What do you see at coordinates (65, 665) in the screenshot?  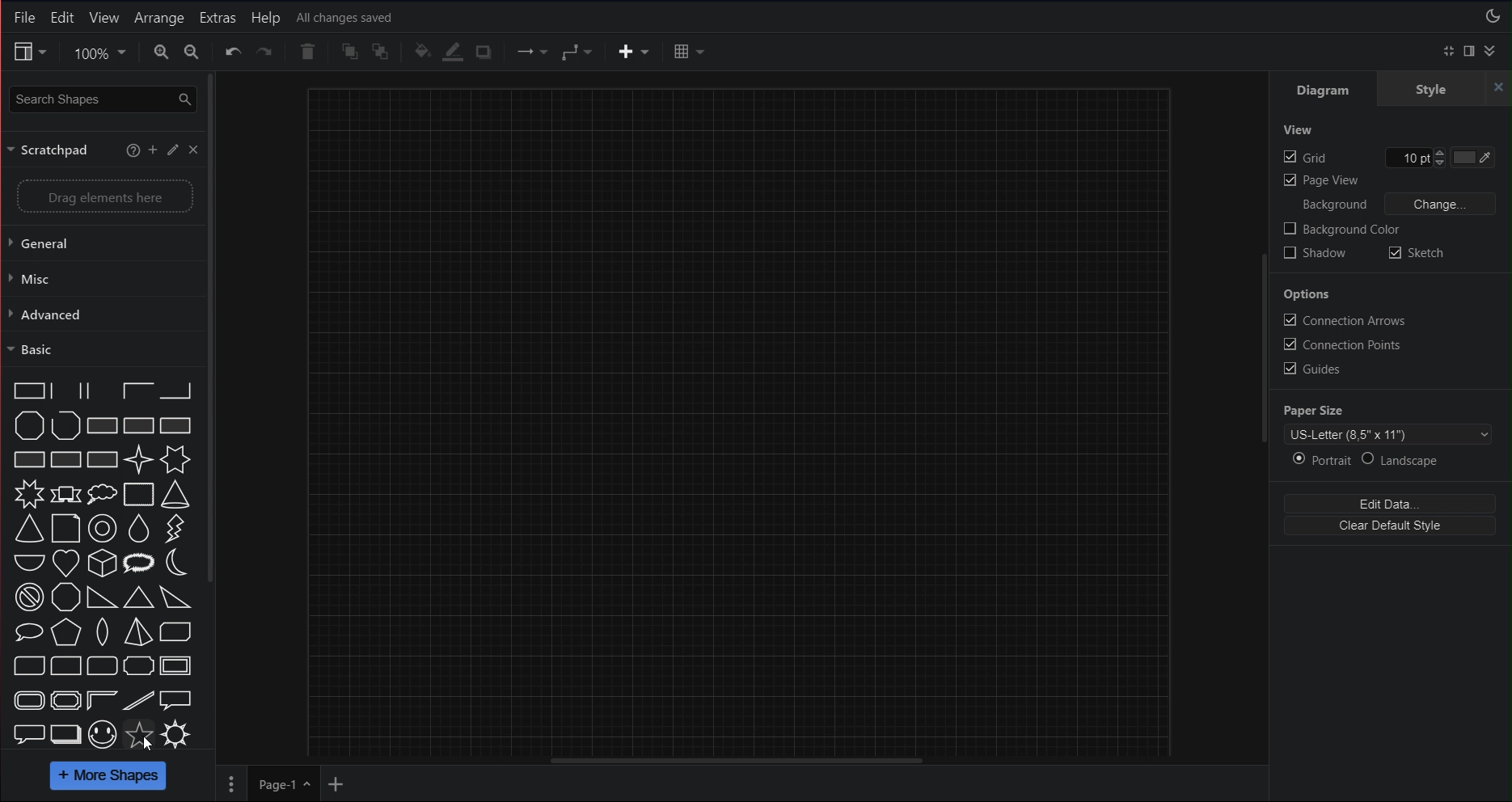 I see `corner rounded rectangle` at bounding box center [65, 665].